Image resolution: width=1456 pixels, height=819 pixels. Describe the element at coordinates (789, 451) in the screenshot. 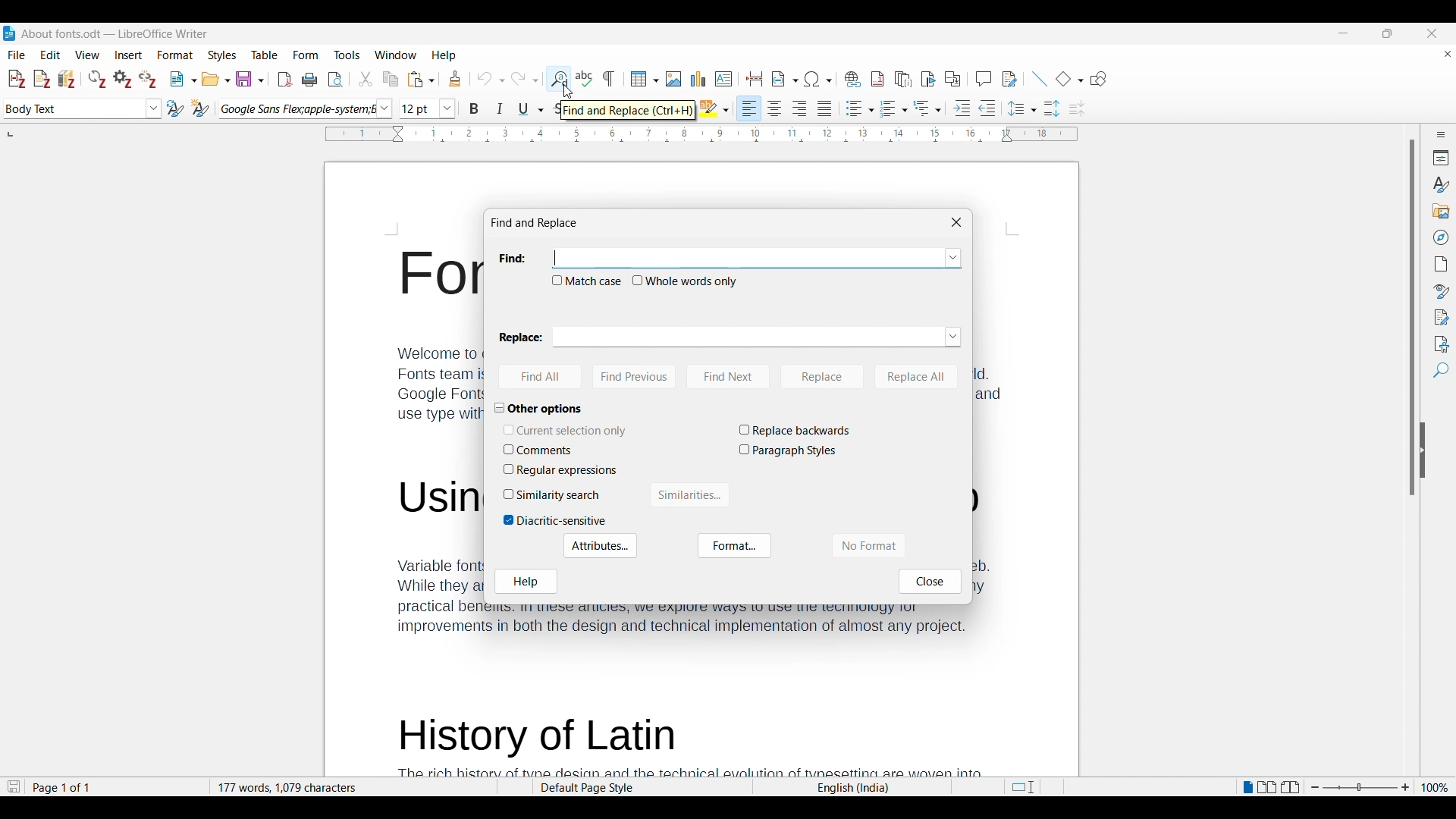

I see `Toggle for Paragraph Styles` at that location.